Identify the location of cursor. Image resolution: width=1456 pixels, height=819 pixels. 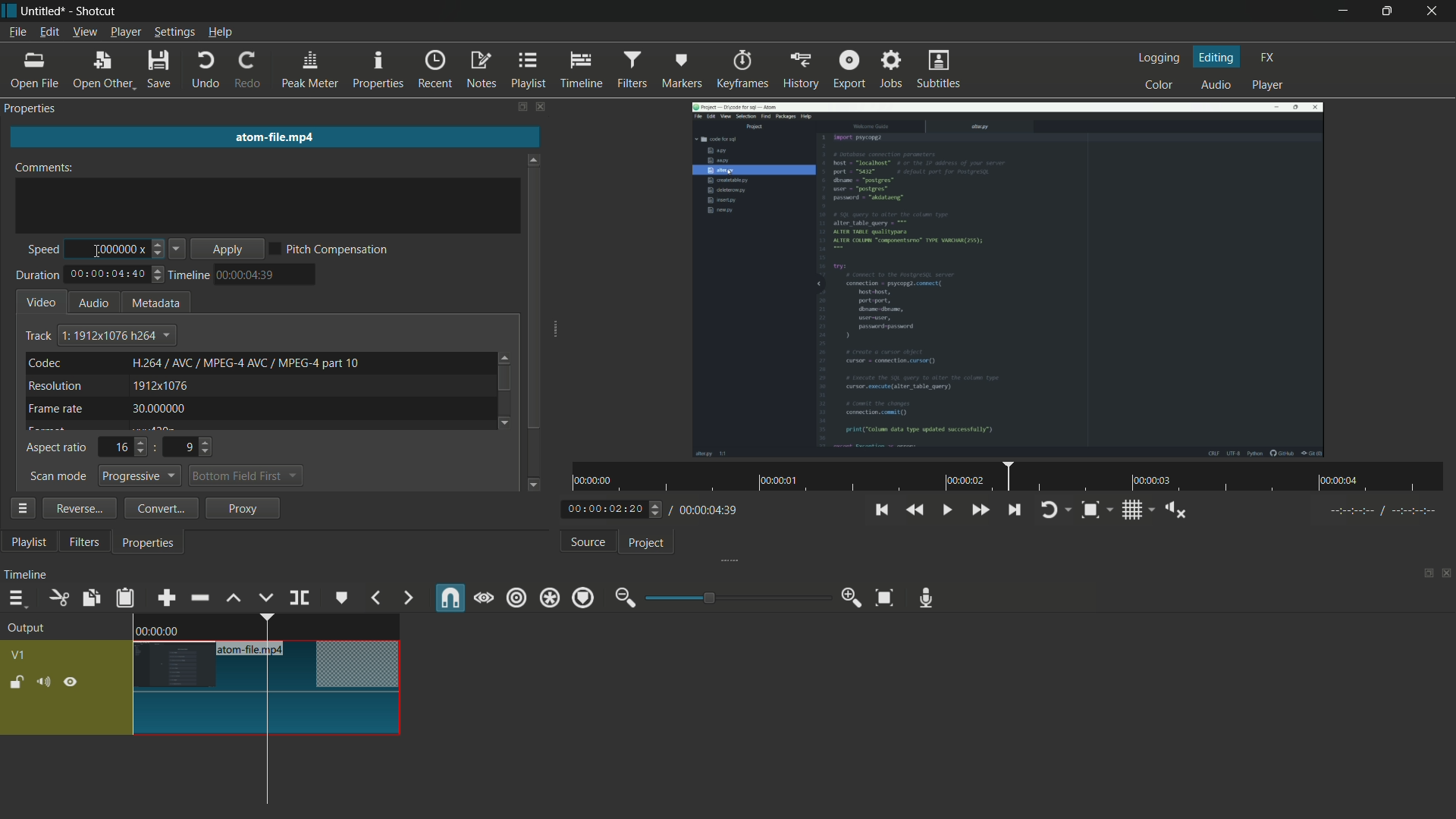
(252, 698).